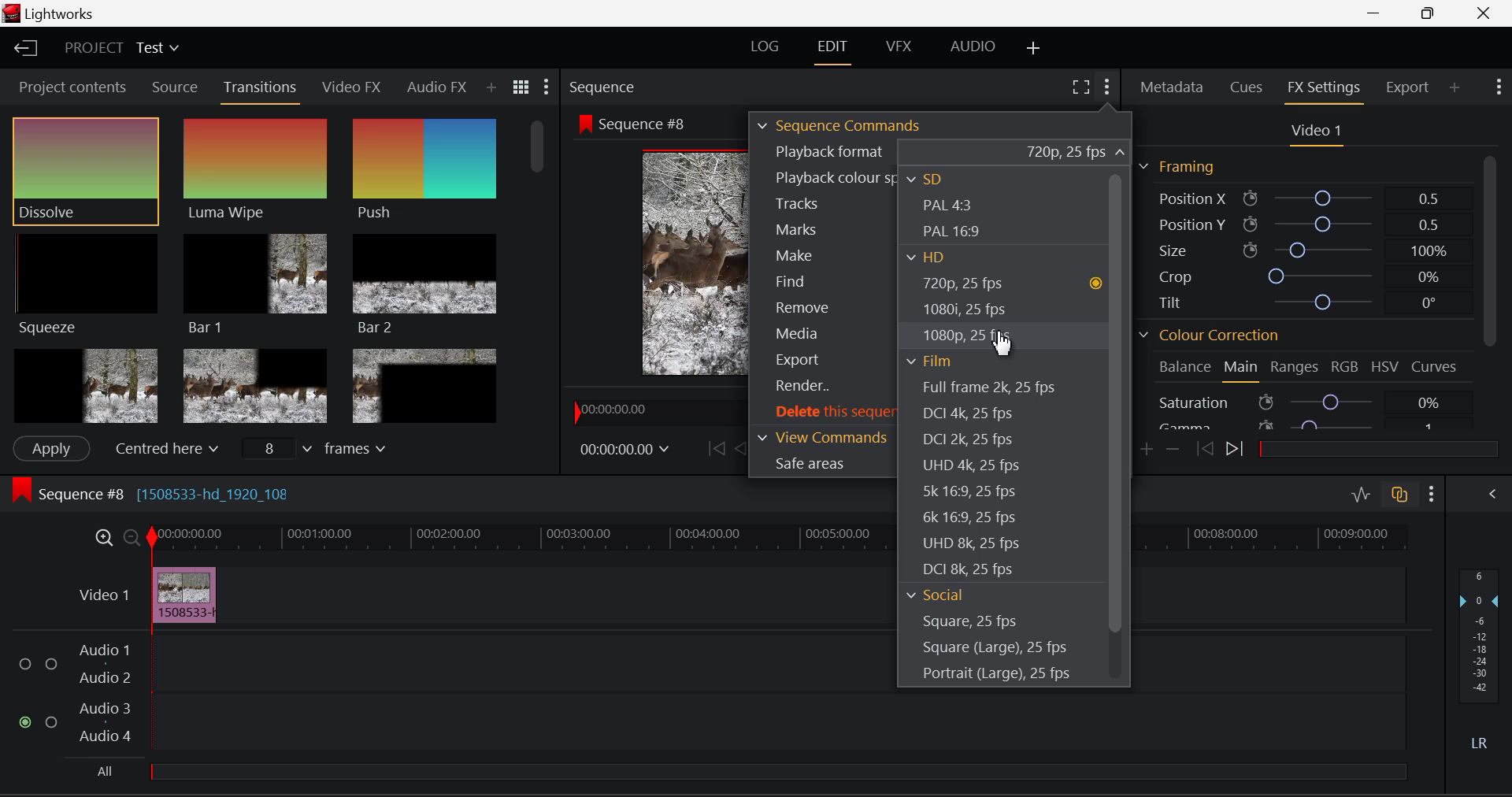  Describe the element at coordinates (823, 464) in the screenshot. I see `Safe areas` at that location.